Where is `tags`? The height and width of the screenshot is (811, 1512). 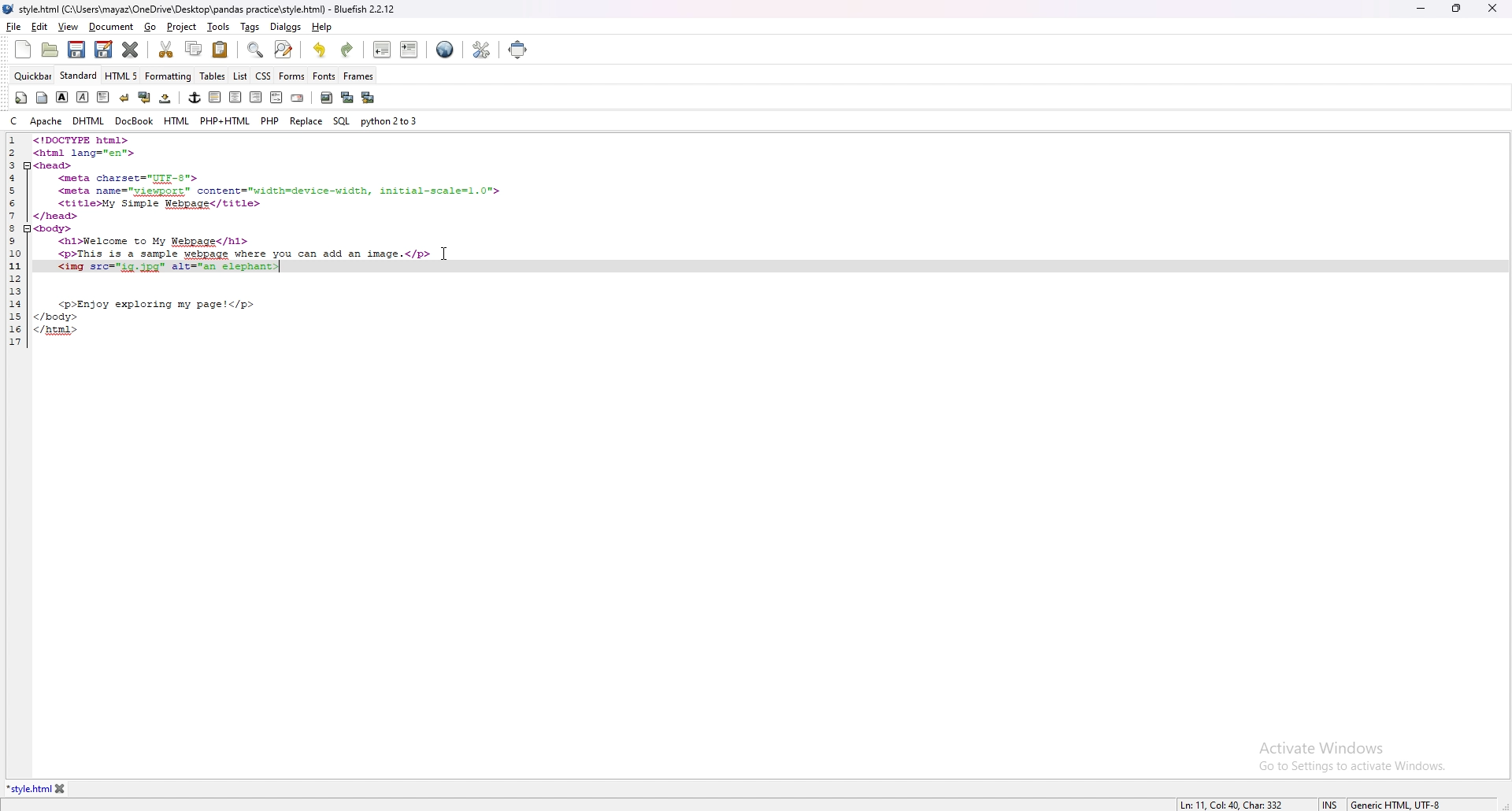 tags is located at coordinates (249, 27).